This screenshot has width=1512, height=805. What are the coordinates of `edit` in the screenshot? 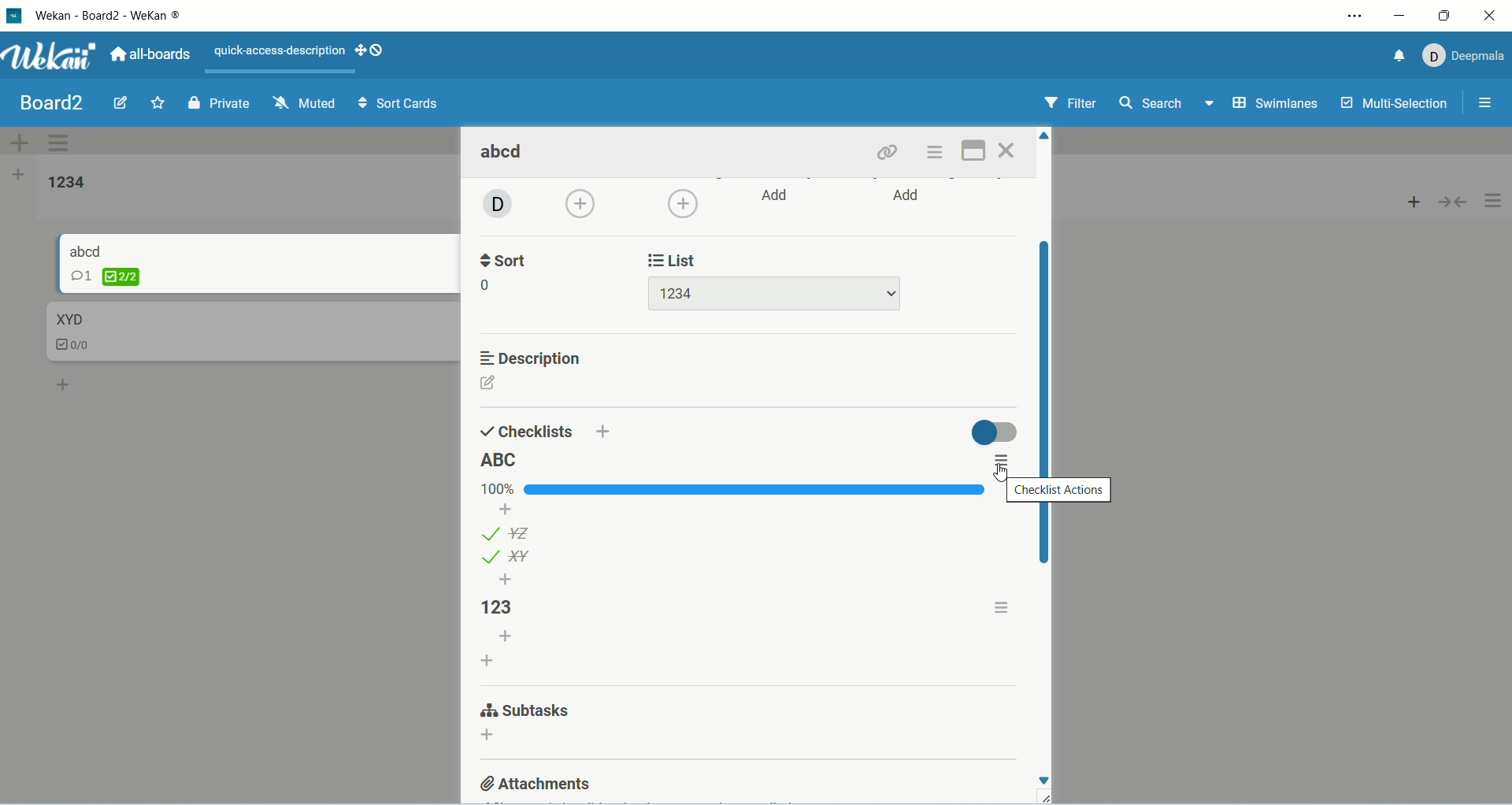 It's located at (120, 102).